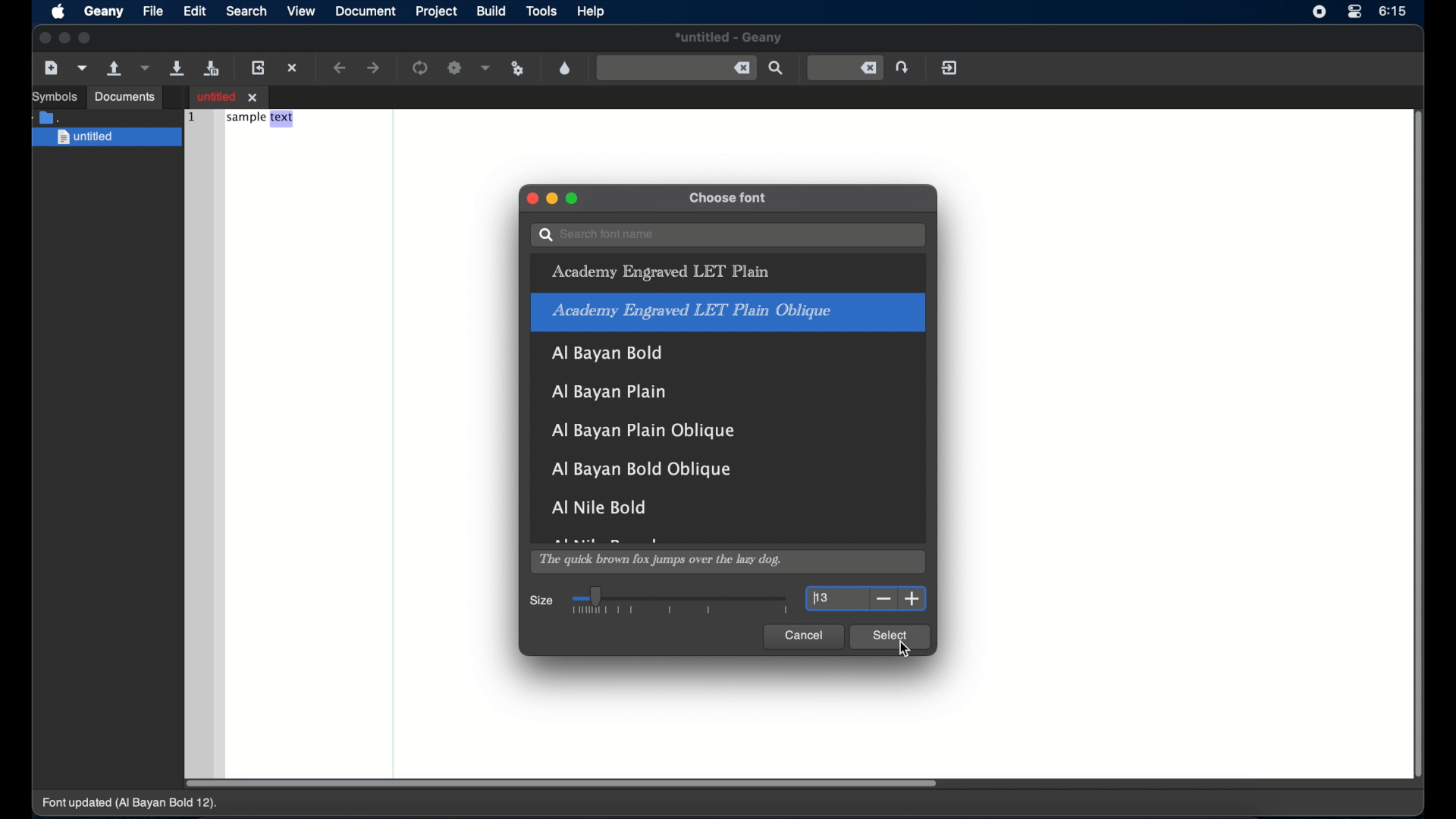 This screenshot has width=1456, height=819. I want to click on navigate forward a location, so click(375, 67).